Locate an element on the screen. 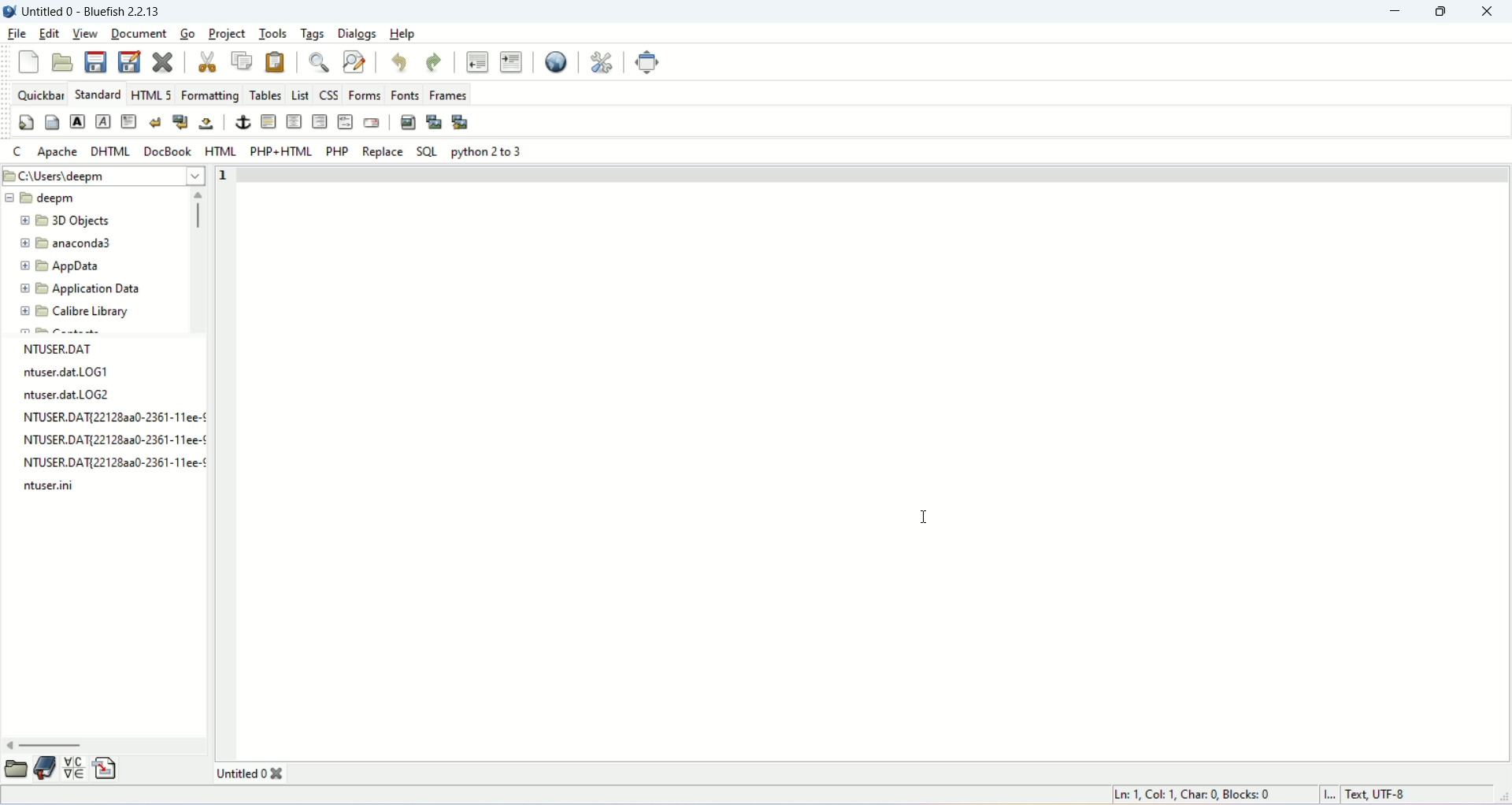  ntuser.dat.LOG1 is located at coordinates (61, 374).